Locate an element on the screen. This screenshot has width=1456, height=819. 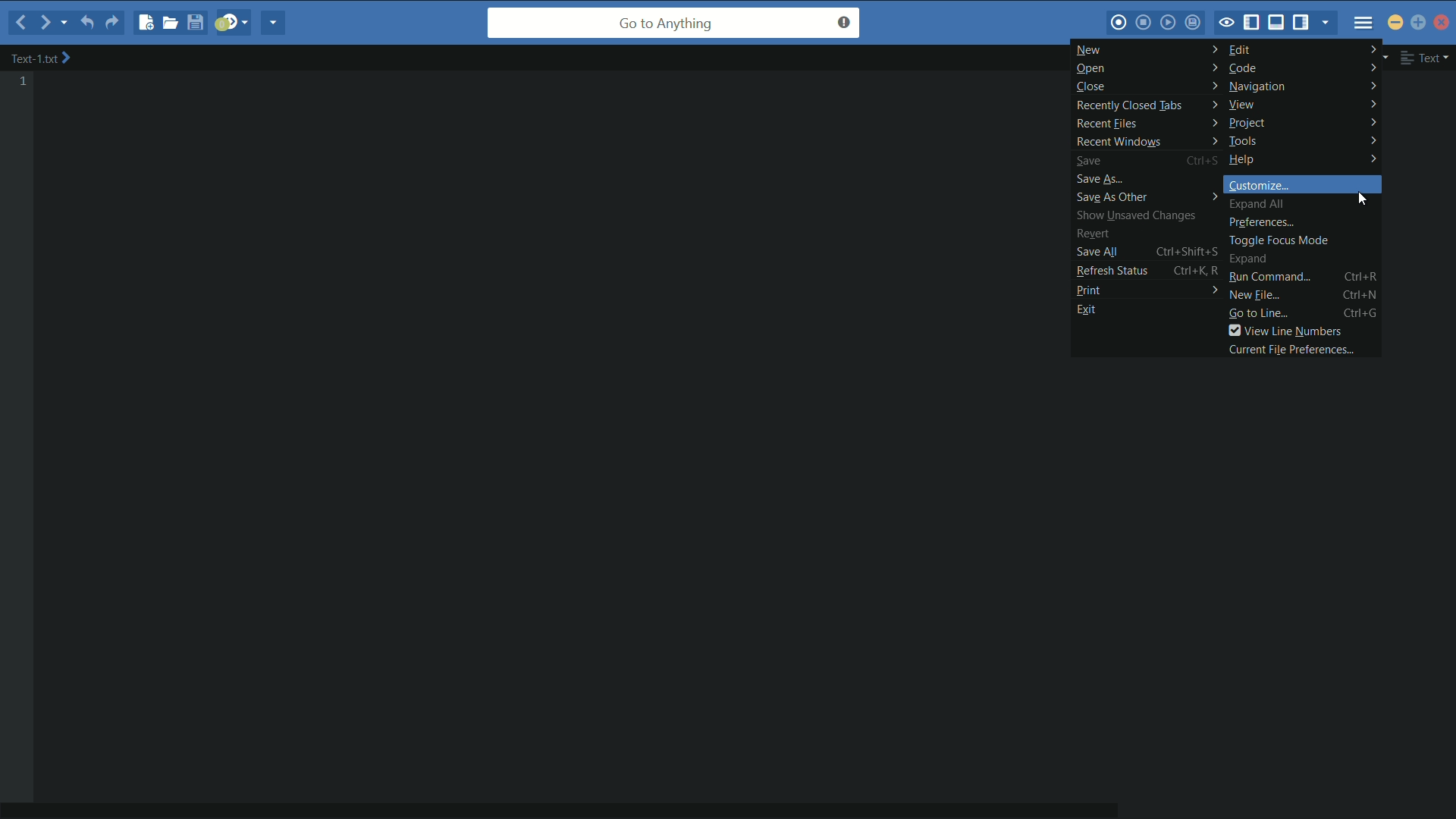
horizontal scroll bar is located at coordinates (565, 804).